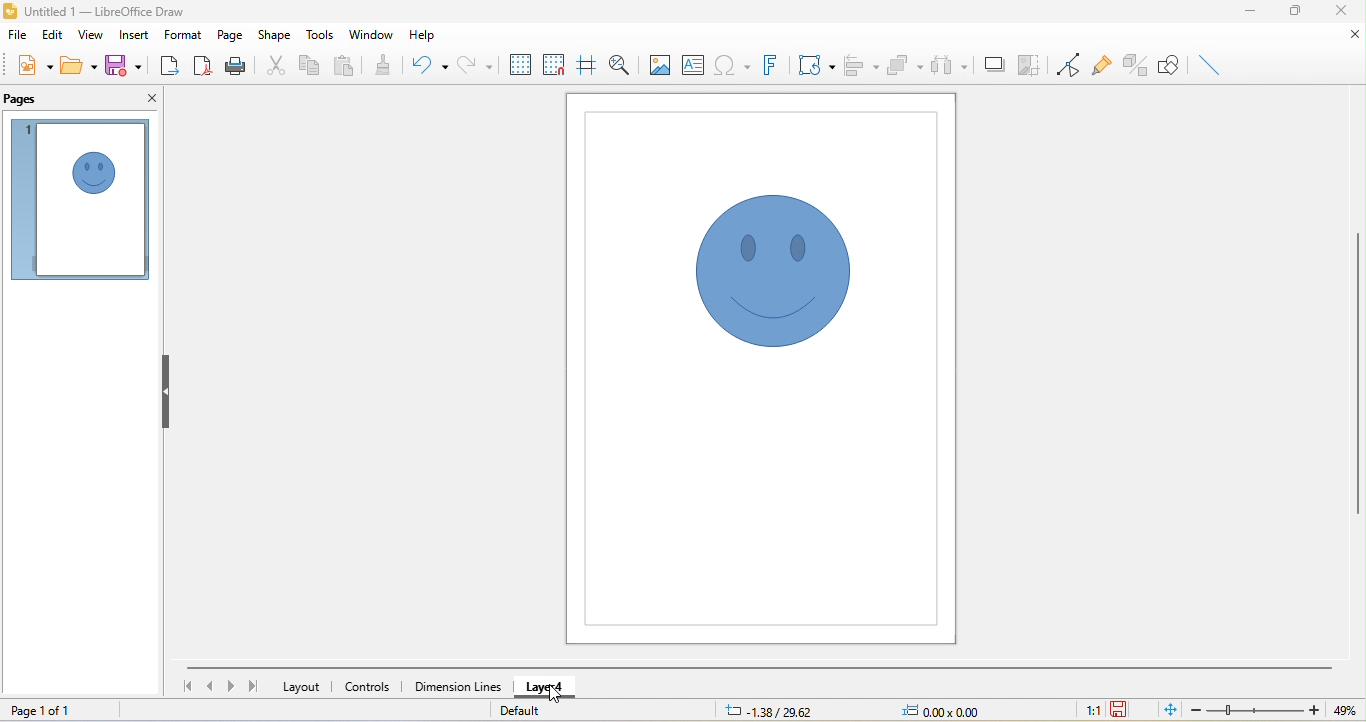 Image resolution: width=1366 pixels, height=722 pixels. What do you see at coordinates (622, 64) in the screenshot?
I see `zoom and pan` at bounding box center [622, 64].